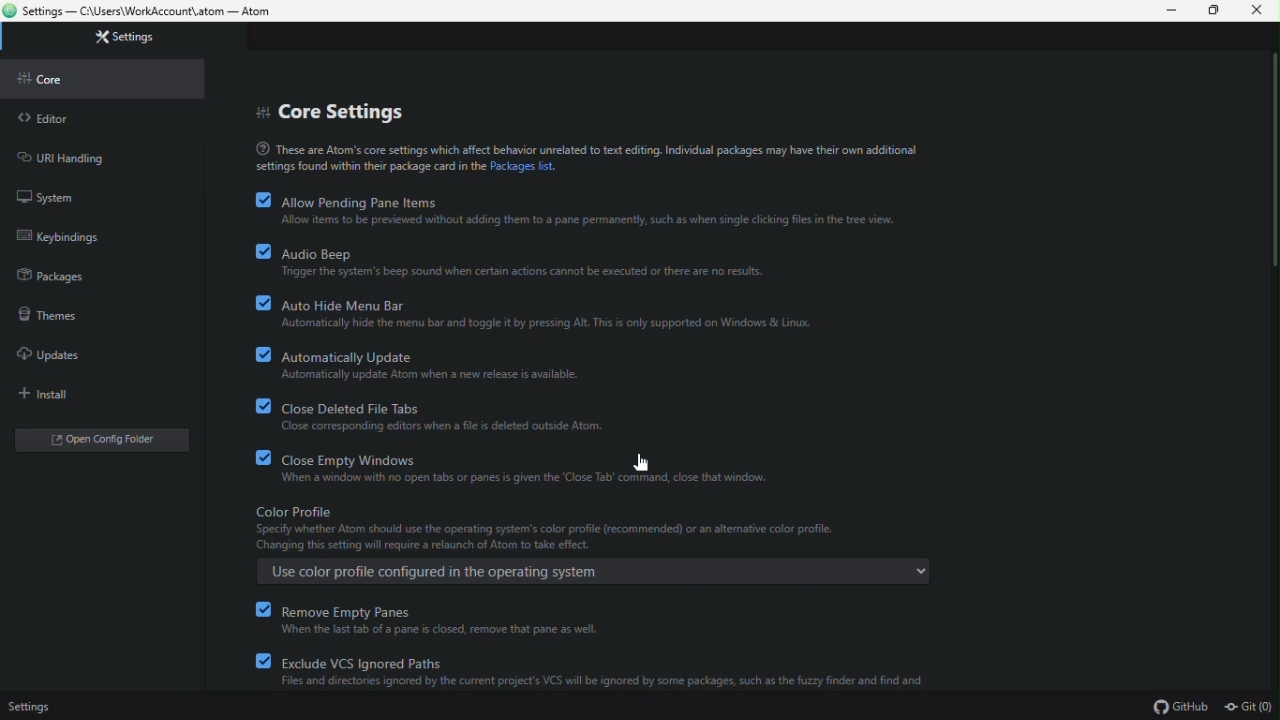 The height and width of the screenshot is (720, 1280). Describe the element at coordinates (97, 155) in the screenshot. I see `URL handling` at that location.